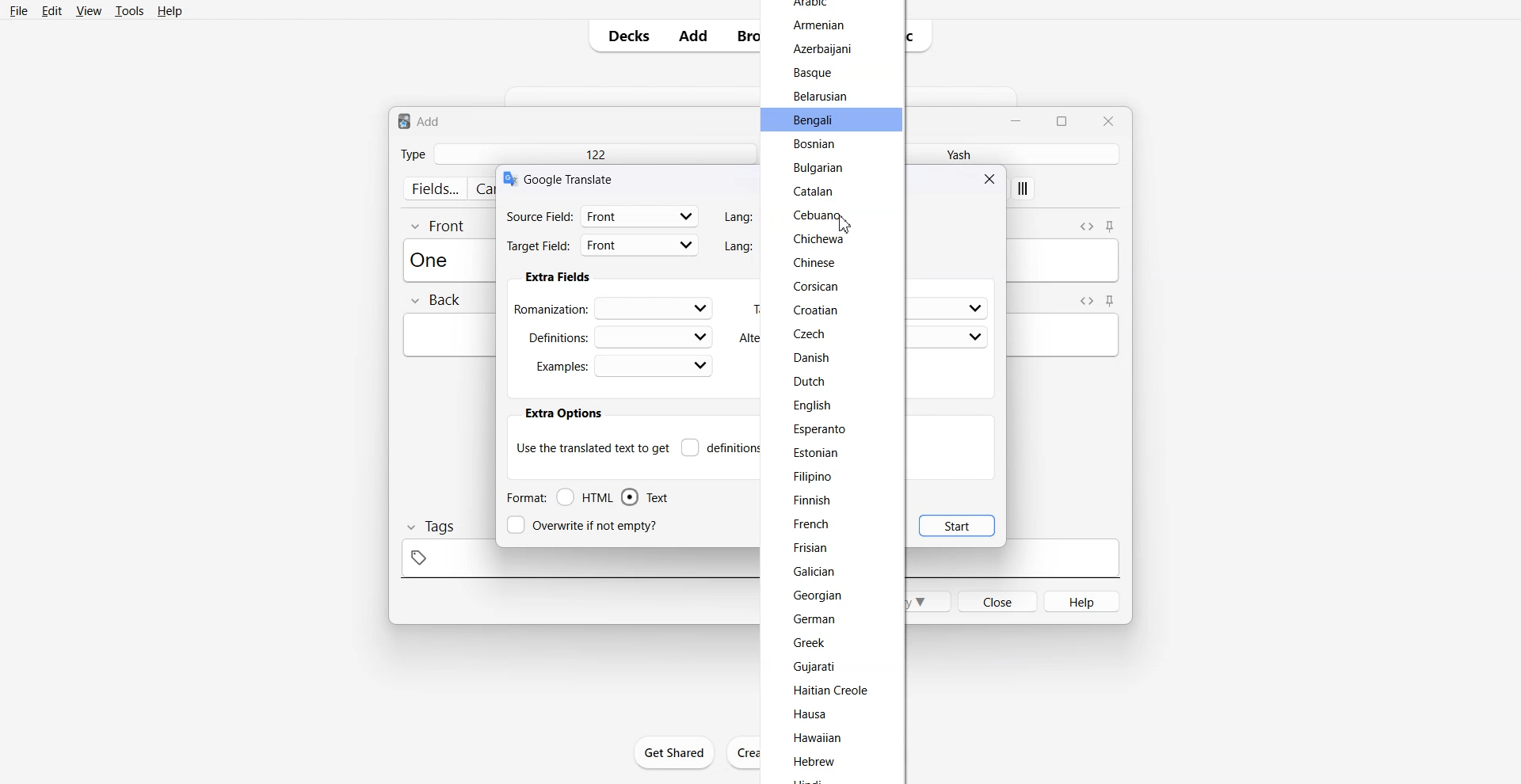 The height and width of the screenshot is (784, 1521). I want to click on Czech, so click(810, 333).